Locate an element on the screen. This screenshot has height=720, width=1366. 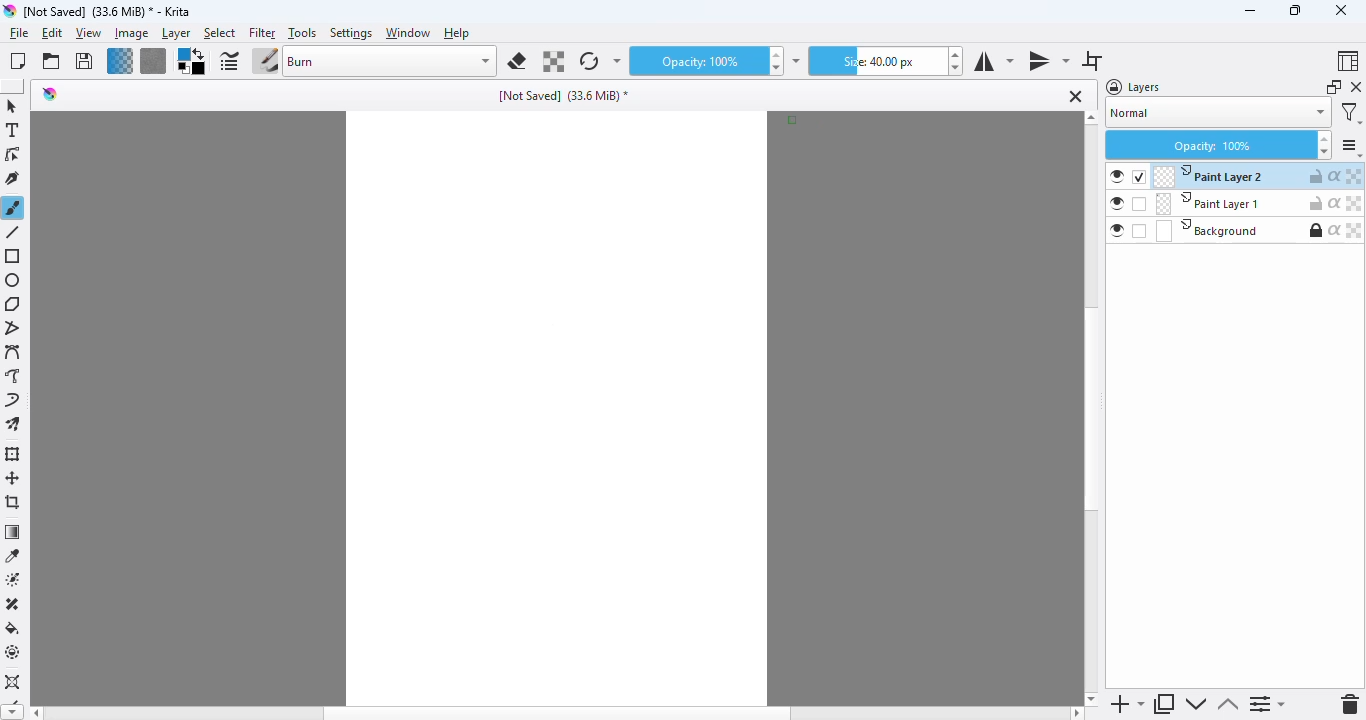
view is located at coordinates (88, 34).